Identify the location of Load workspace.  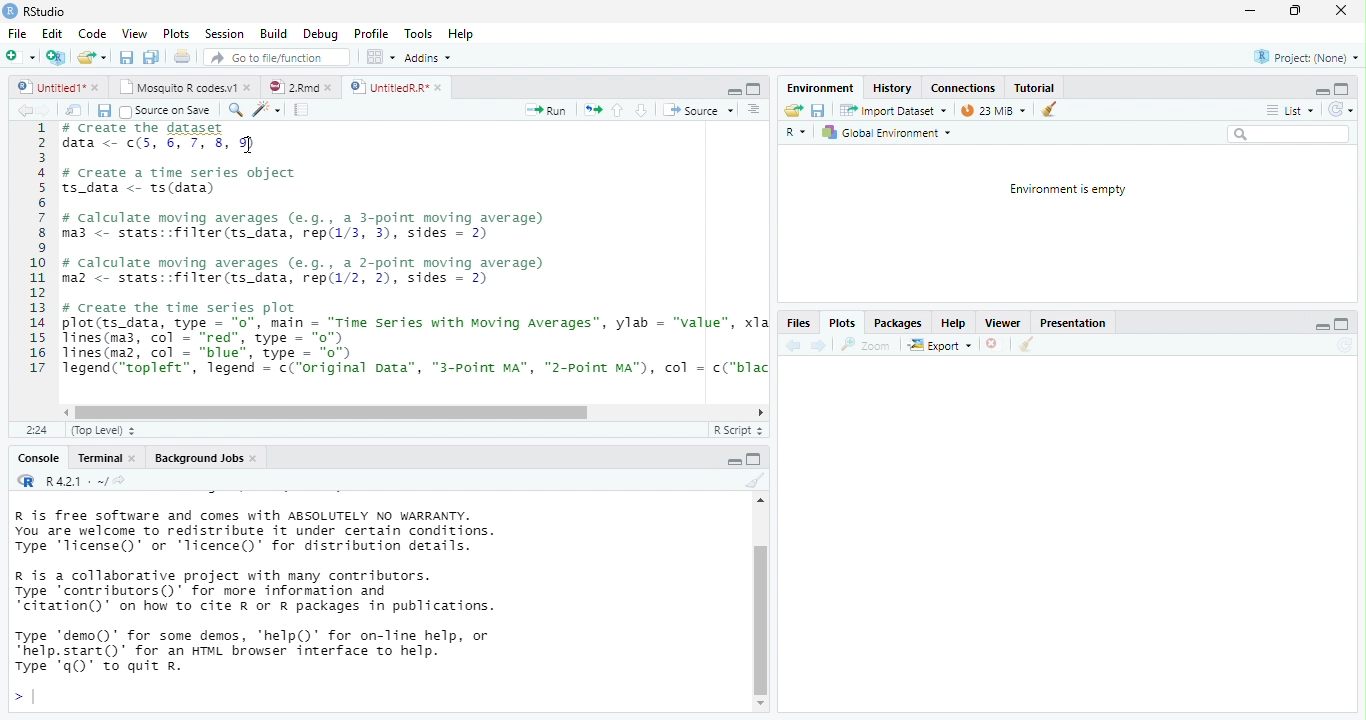
(793, 111).